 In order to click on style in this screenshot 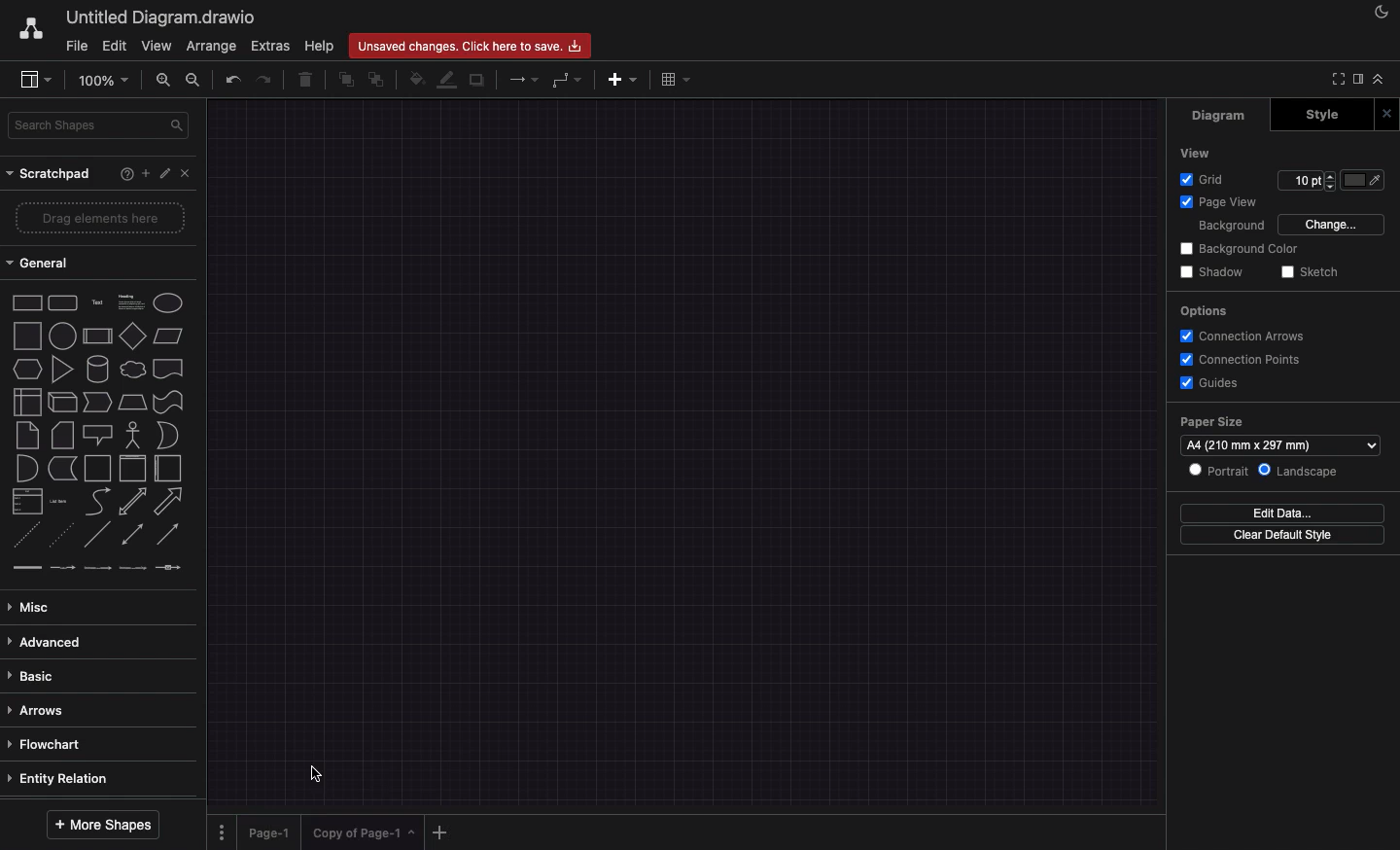, I will do `click(1325, 115)`.